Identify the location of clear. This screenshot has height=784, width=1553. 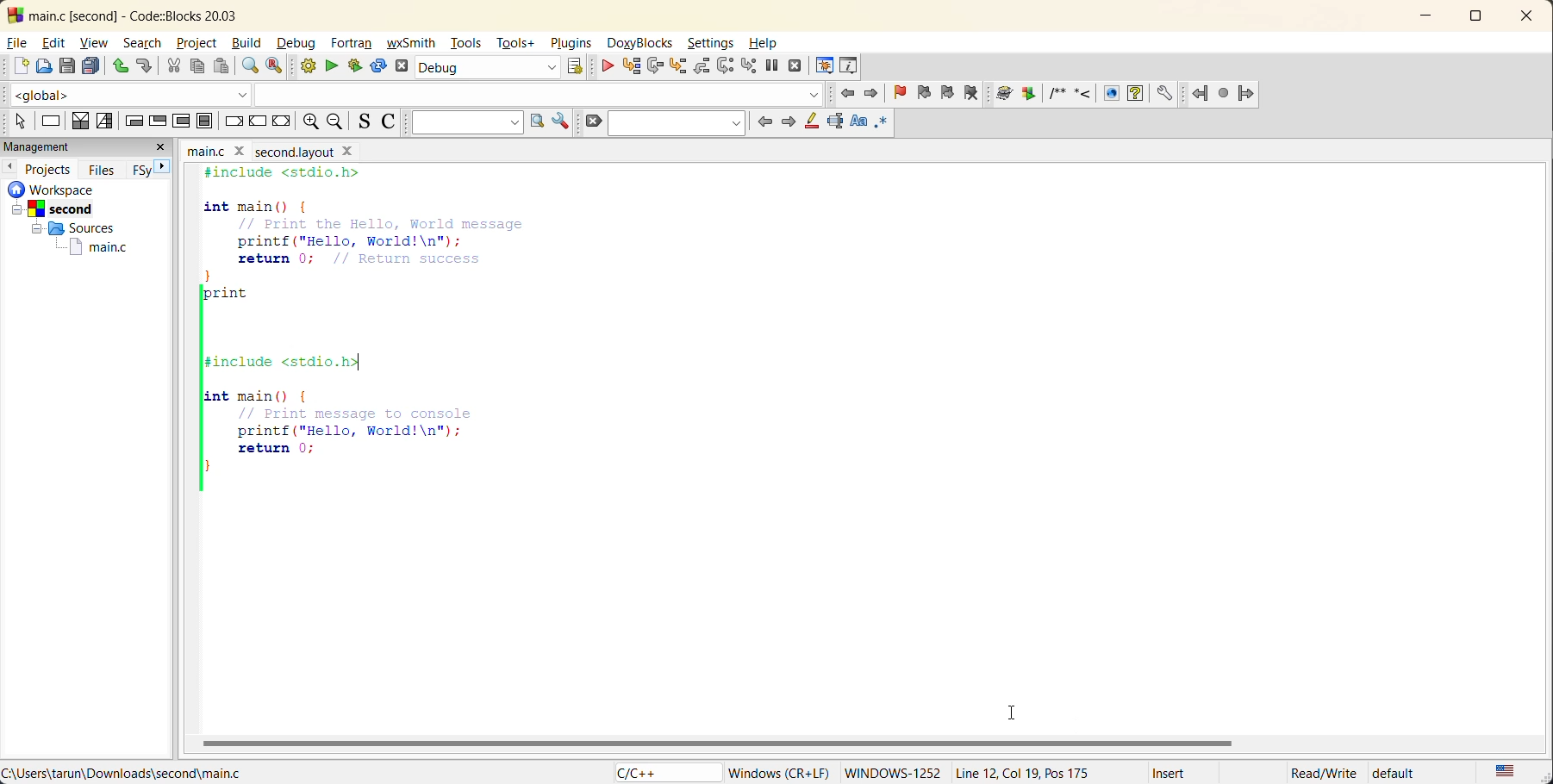
(593, 122).